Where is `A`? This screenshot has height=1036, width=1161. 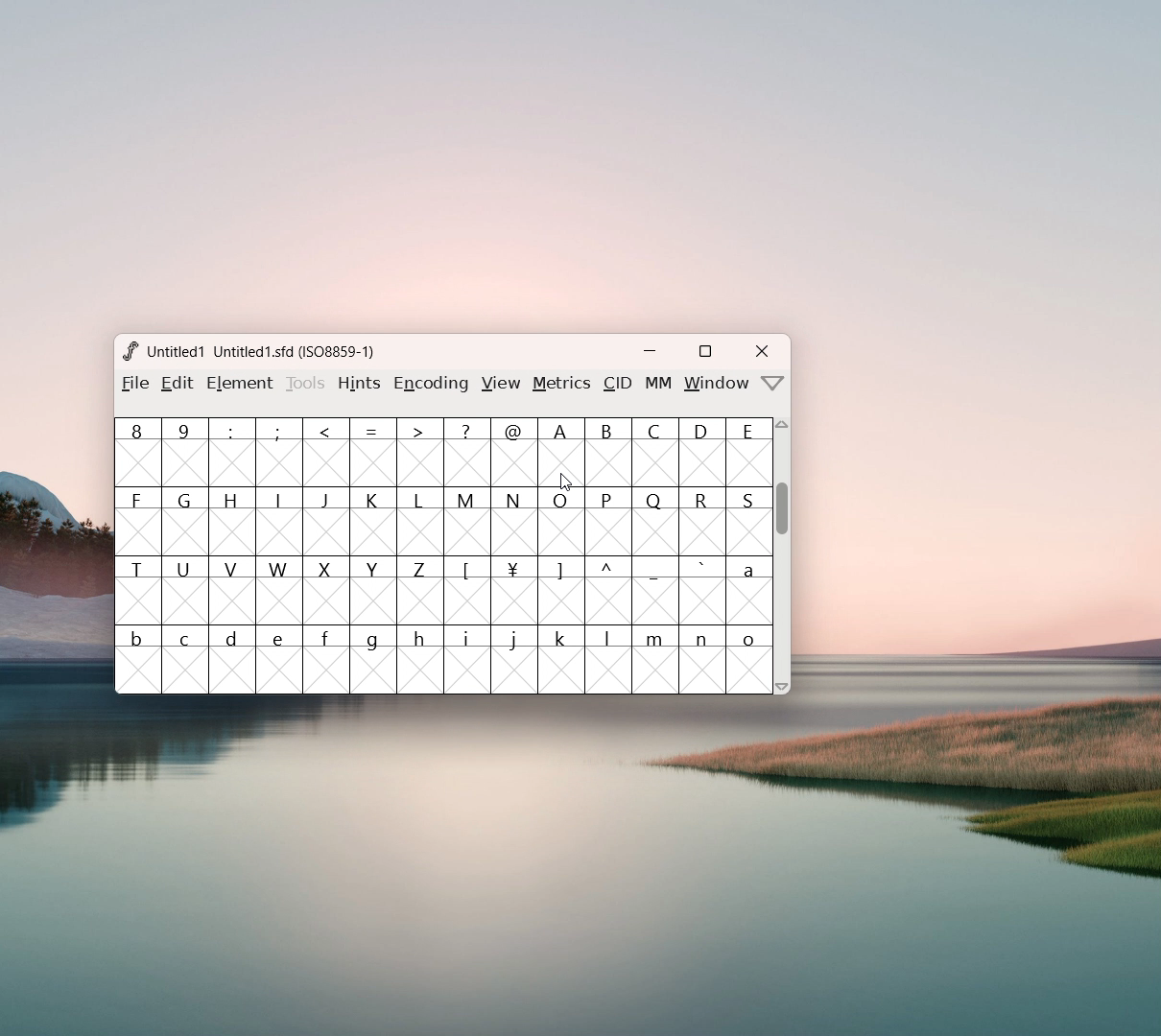 A is located at coordinates (561, 452).